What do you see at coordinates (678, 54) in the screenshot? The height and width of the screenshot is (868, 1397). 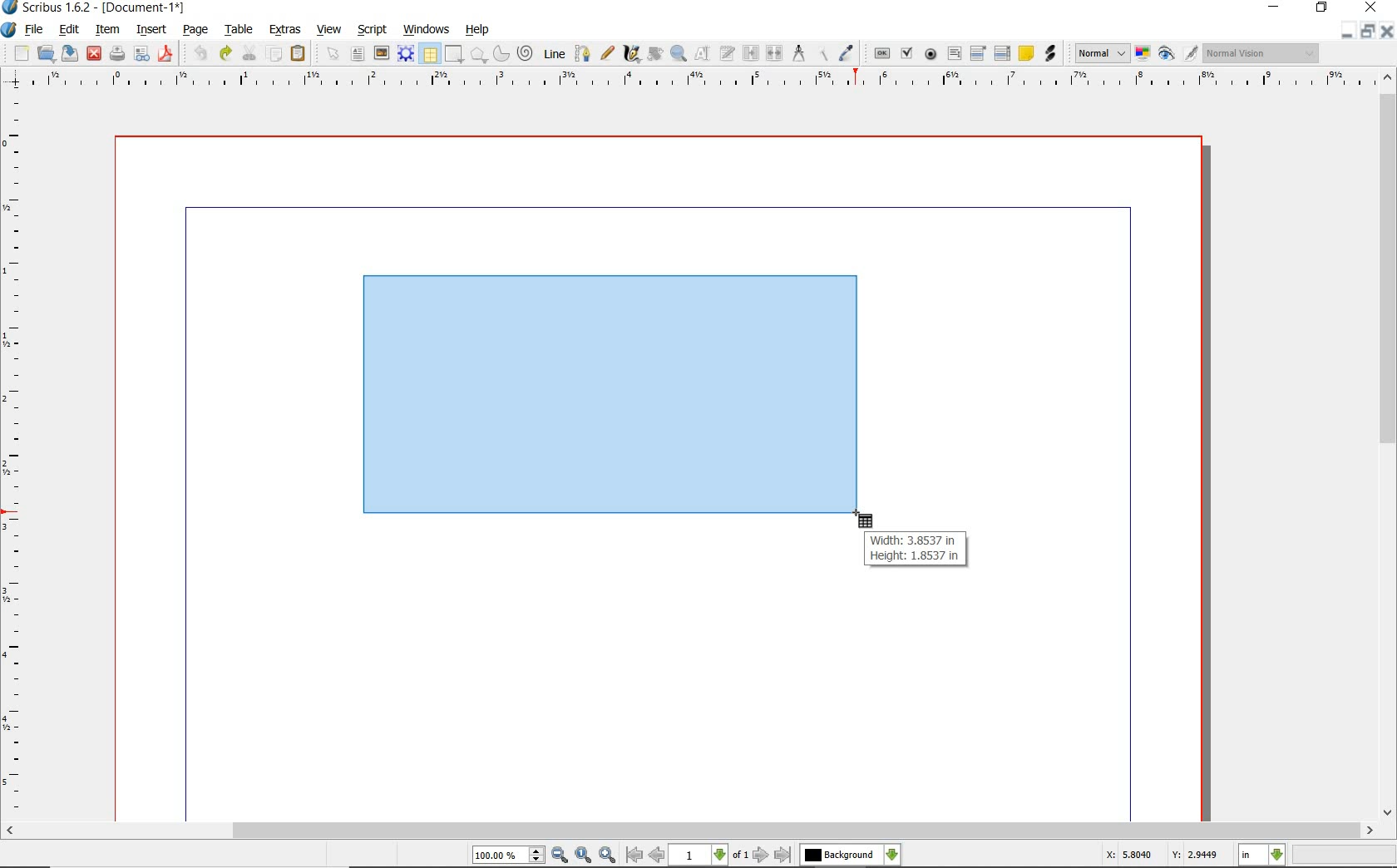 I see `zoom in or out` at bounding box center [678, 54].